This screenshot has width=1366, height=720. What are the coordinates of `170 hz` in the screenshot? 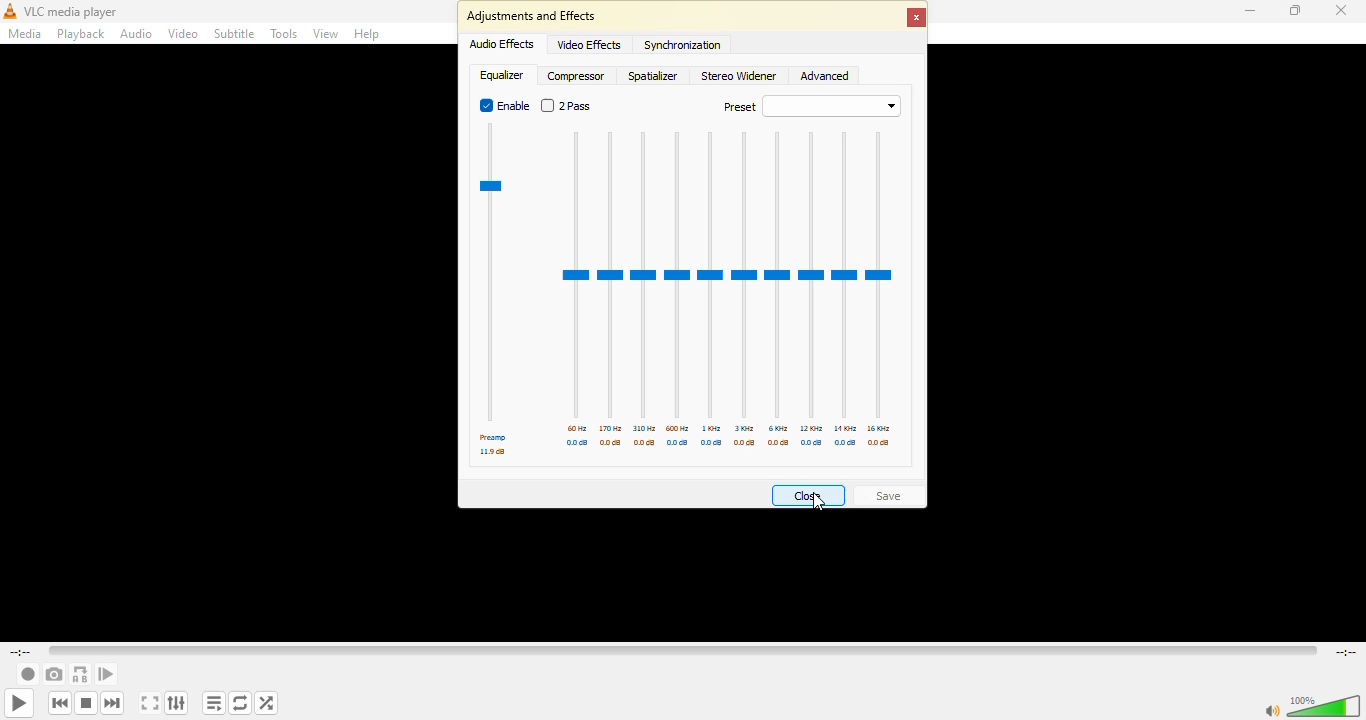 It's located at (612, 428).